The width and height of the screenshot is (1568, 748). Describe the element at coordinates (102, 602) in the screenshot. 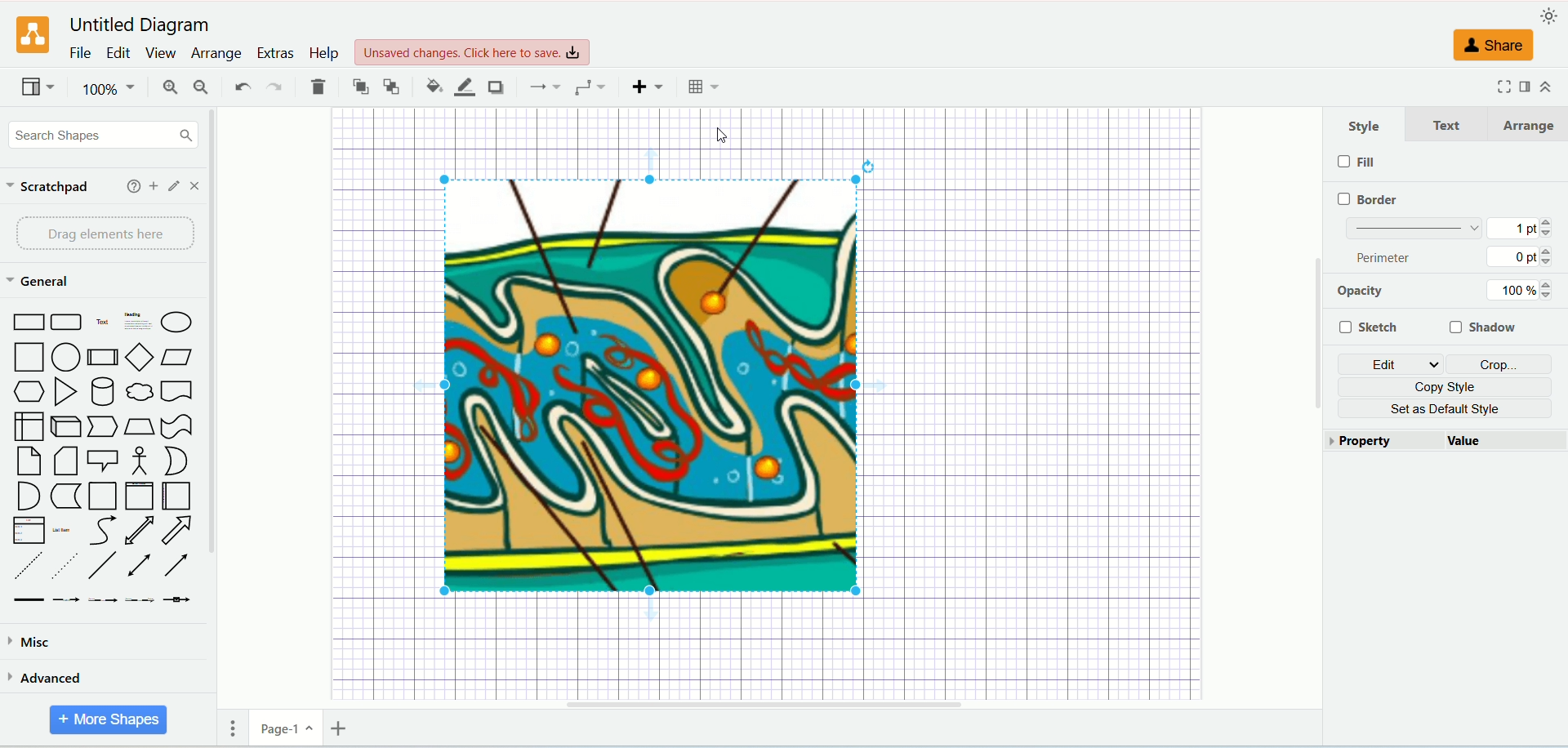

I see `Connector with 2 Labels` at that location.